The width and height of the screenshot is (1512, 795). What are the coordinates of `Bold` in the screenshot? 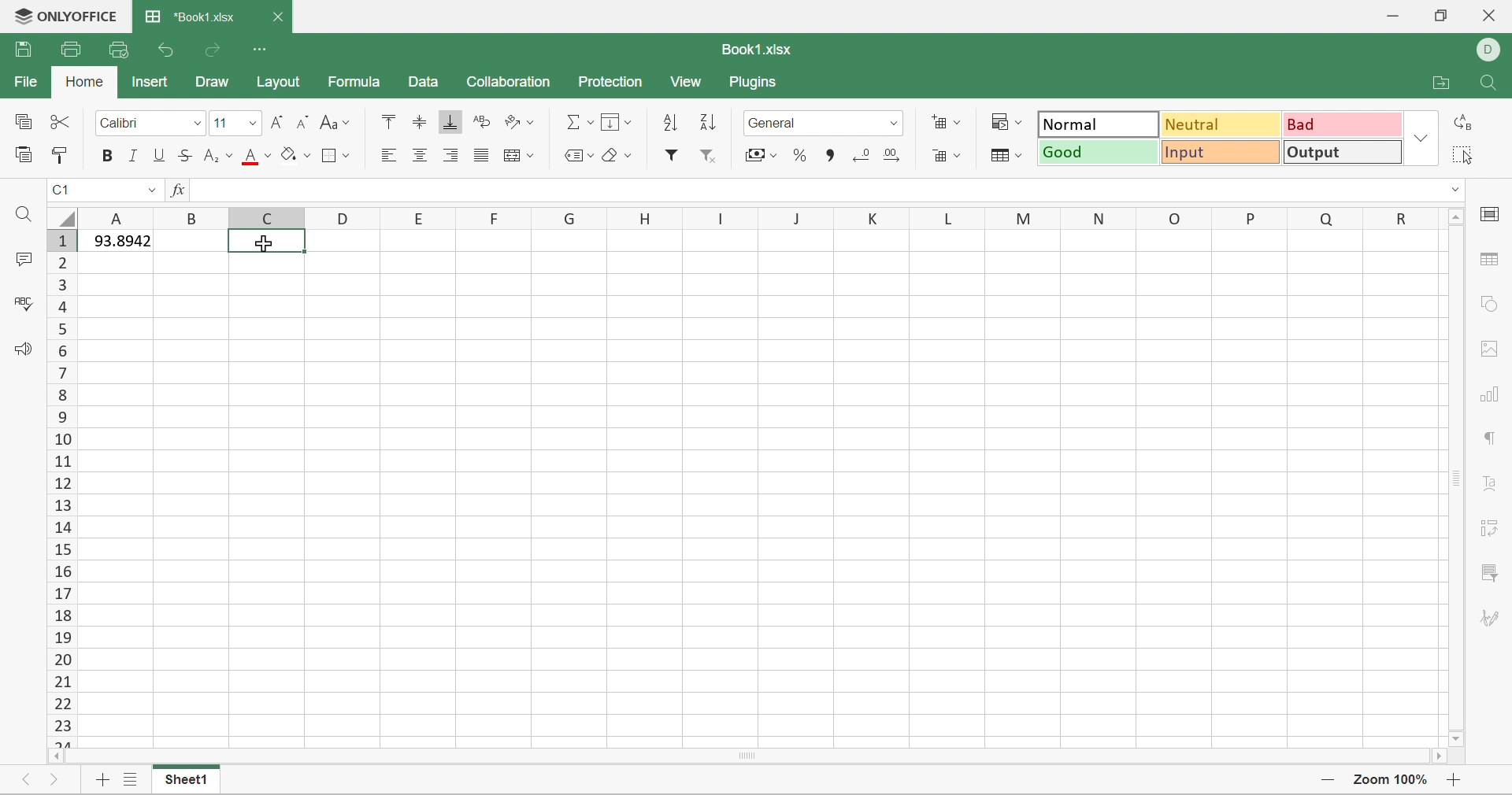 It's located at (109, 156).